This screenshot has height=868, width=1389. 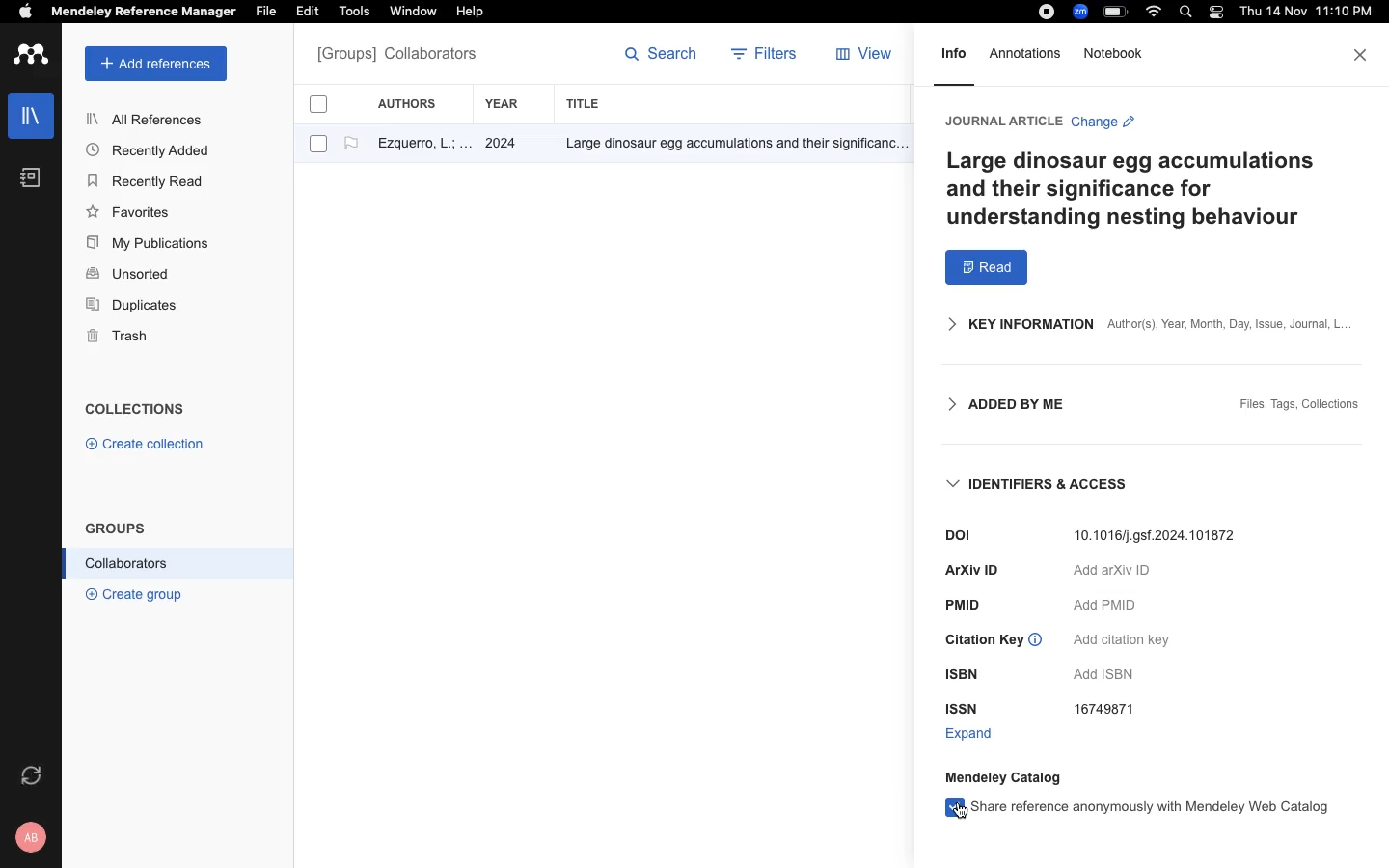 I want to click on recording, so click(x=1044, y=13).